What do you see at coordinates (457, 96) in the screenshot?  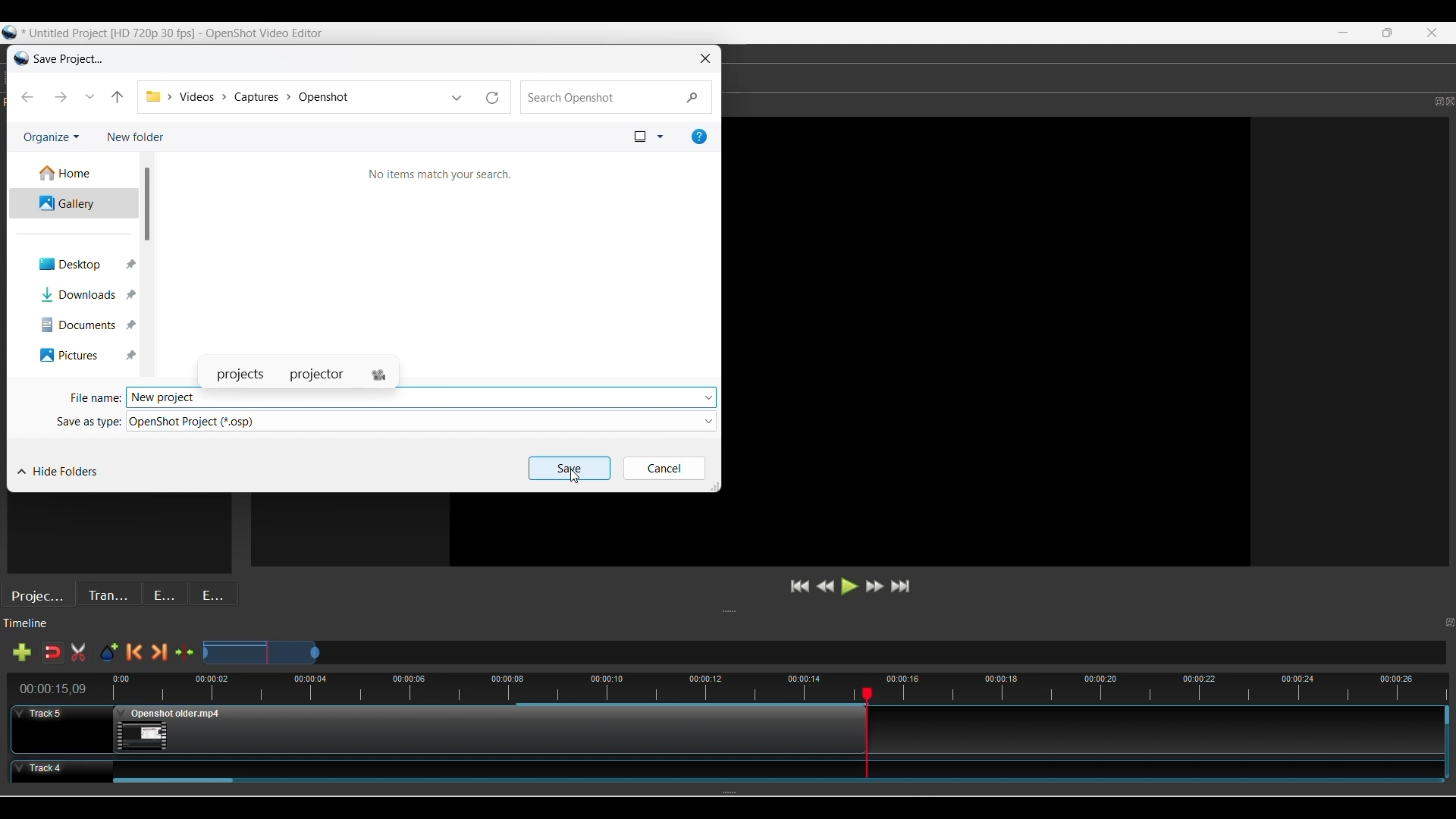 I see `List of previous locations` at bounding box center [457, 96].